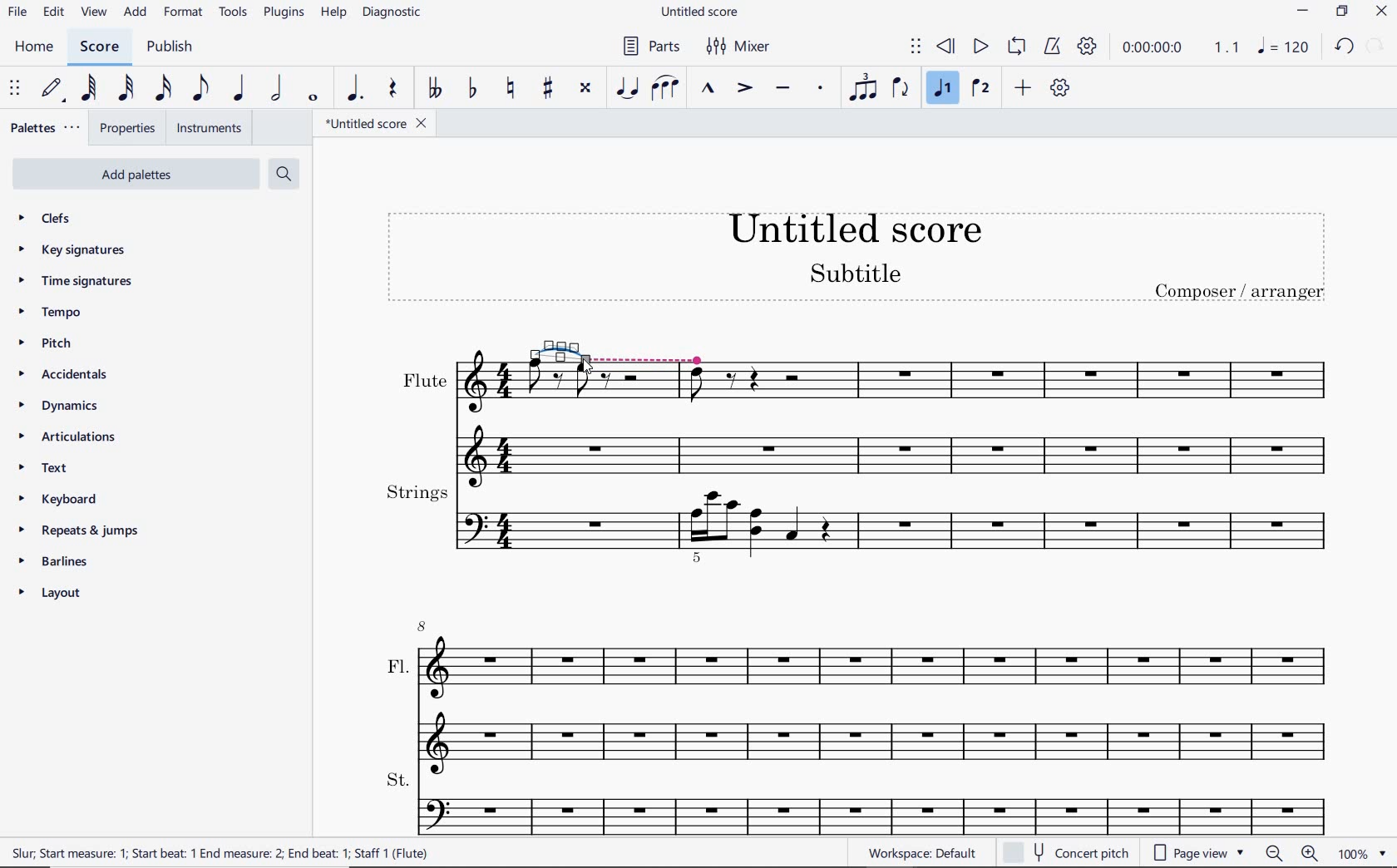 The height and width of the screenshot is (868, 1397). I want to click on 64TH NOTE, so click(90, 88).